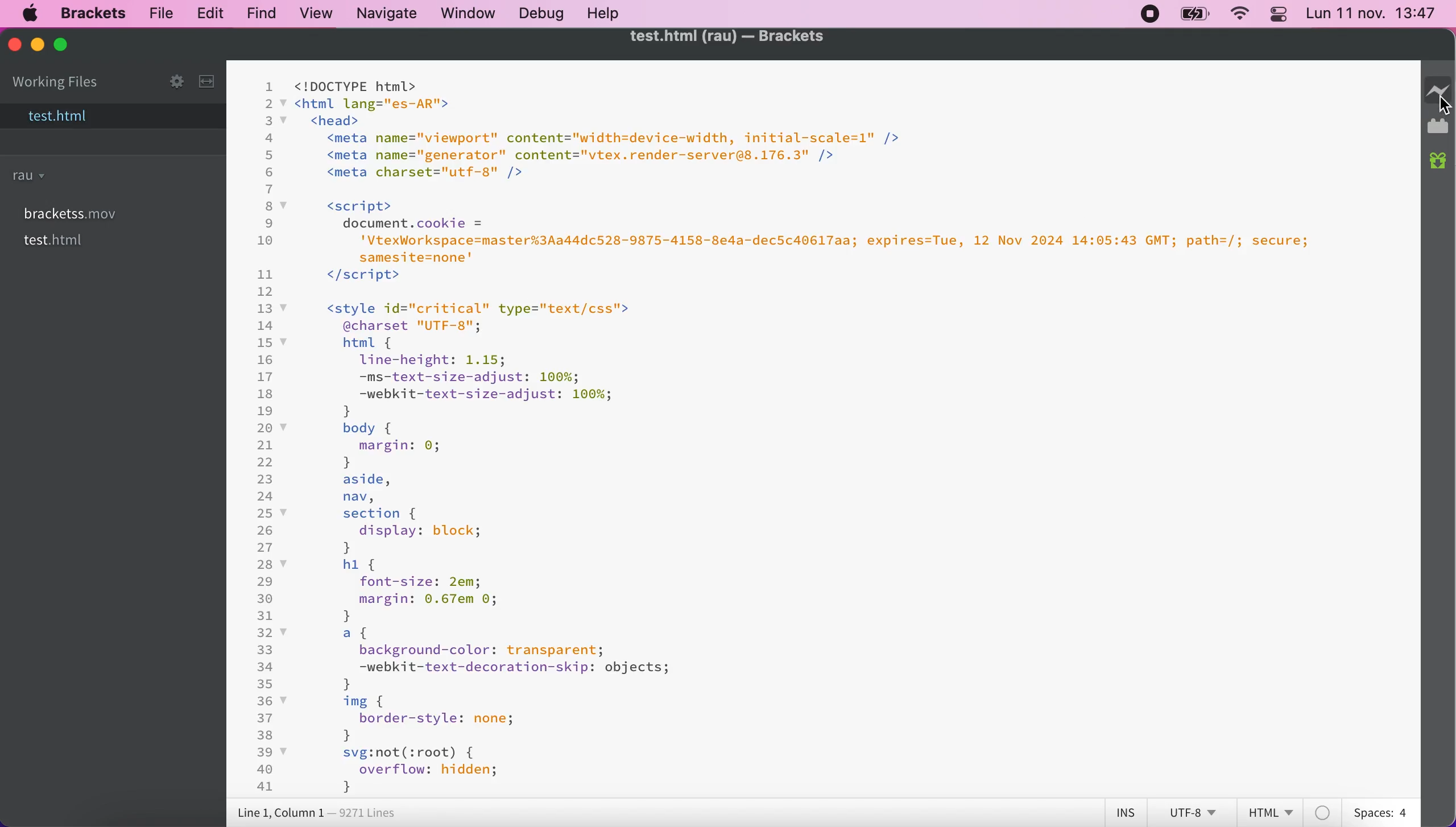 The image size is (1456, 827). I want to click on debug, so click(544, 13).